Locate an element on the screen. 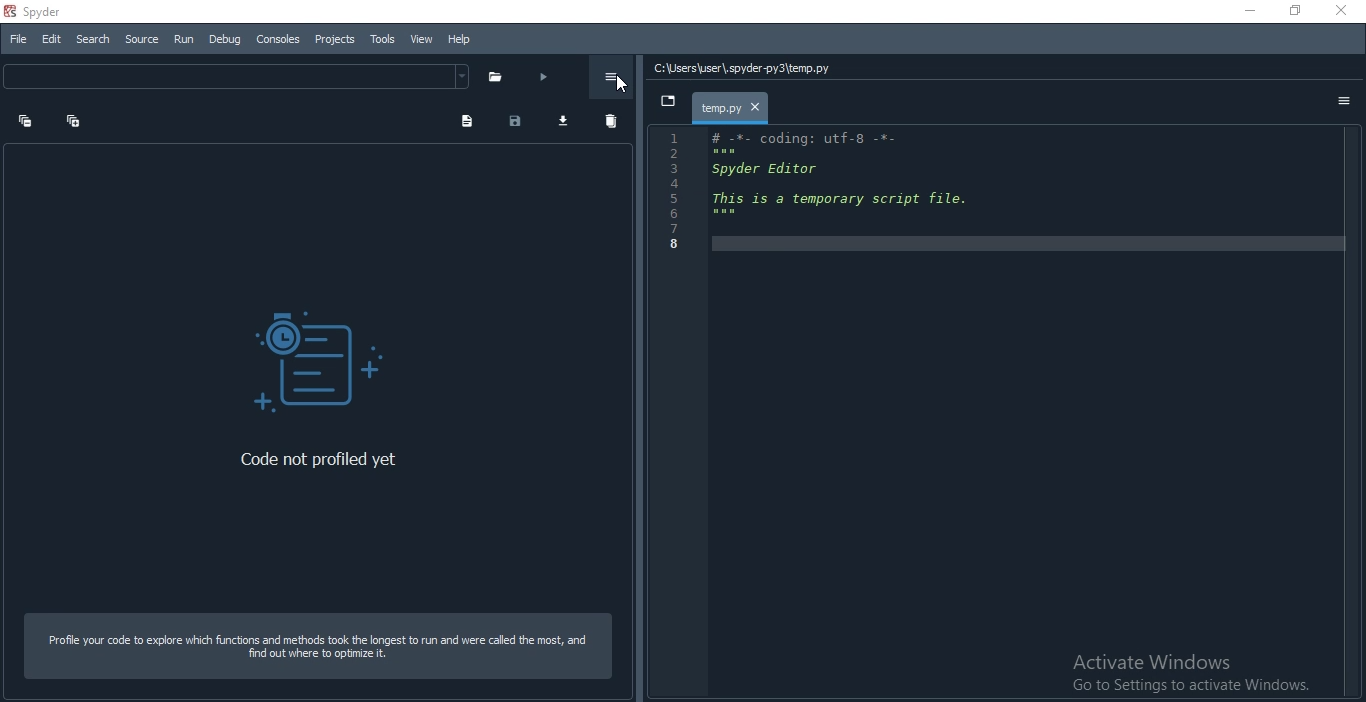  Projects is located at coordinates (333, 40).